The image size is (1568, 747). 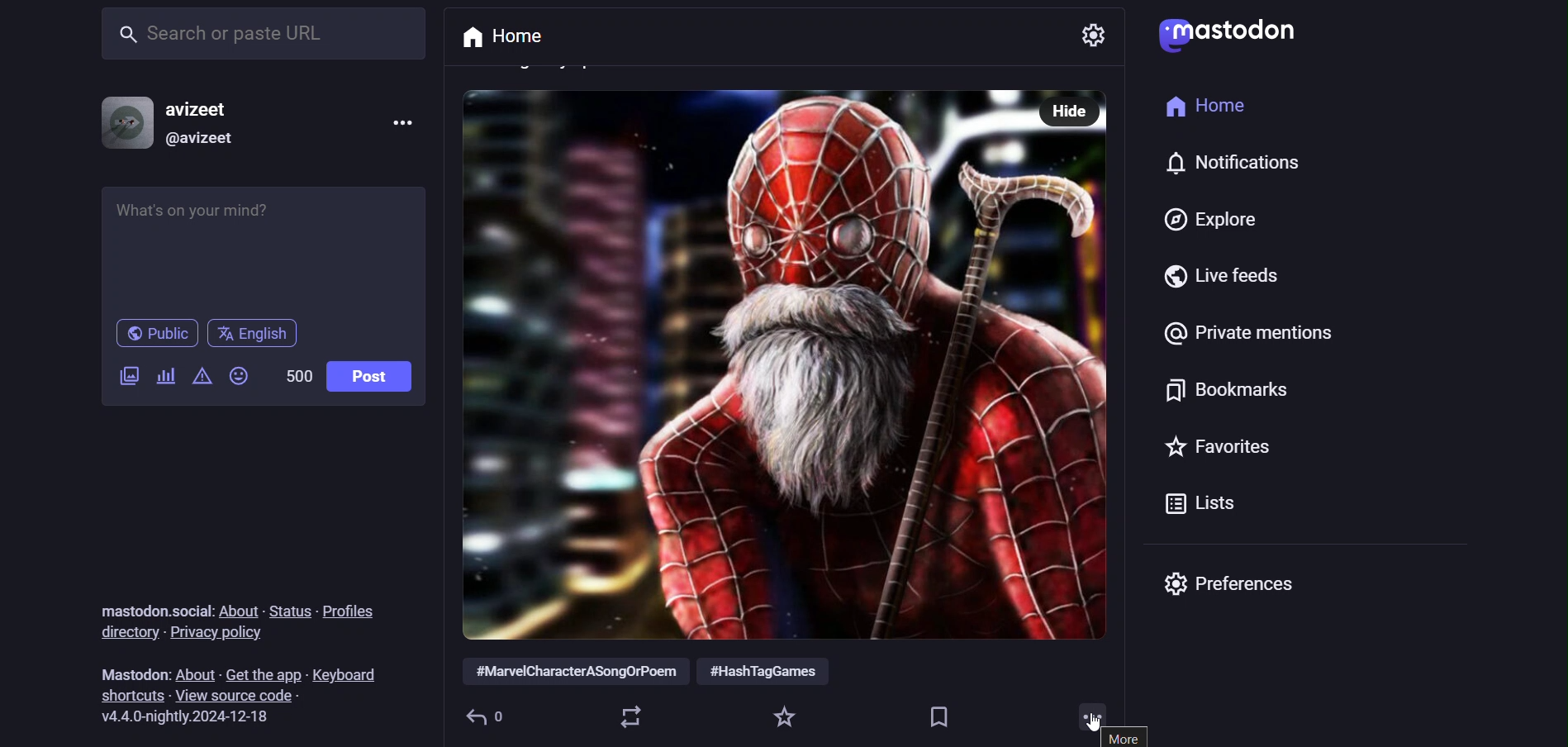 What do you see at coordinates (268, 36) in the screenshot?
I see `search` at bounding box center [268, 36].